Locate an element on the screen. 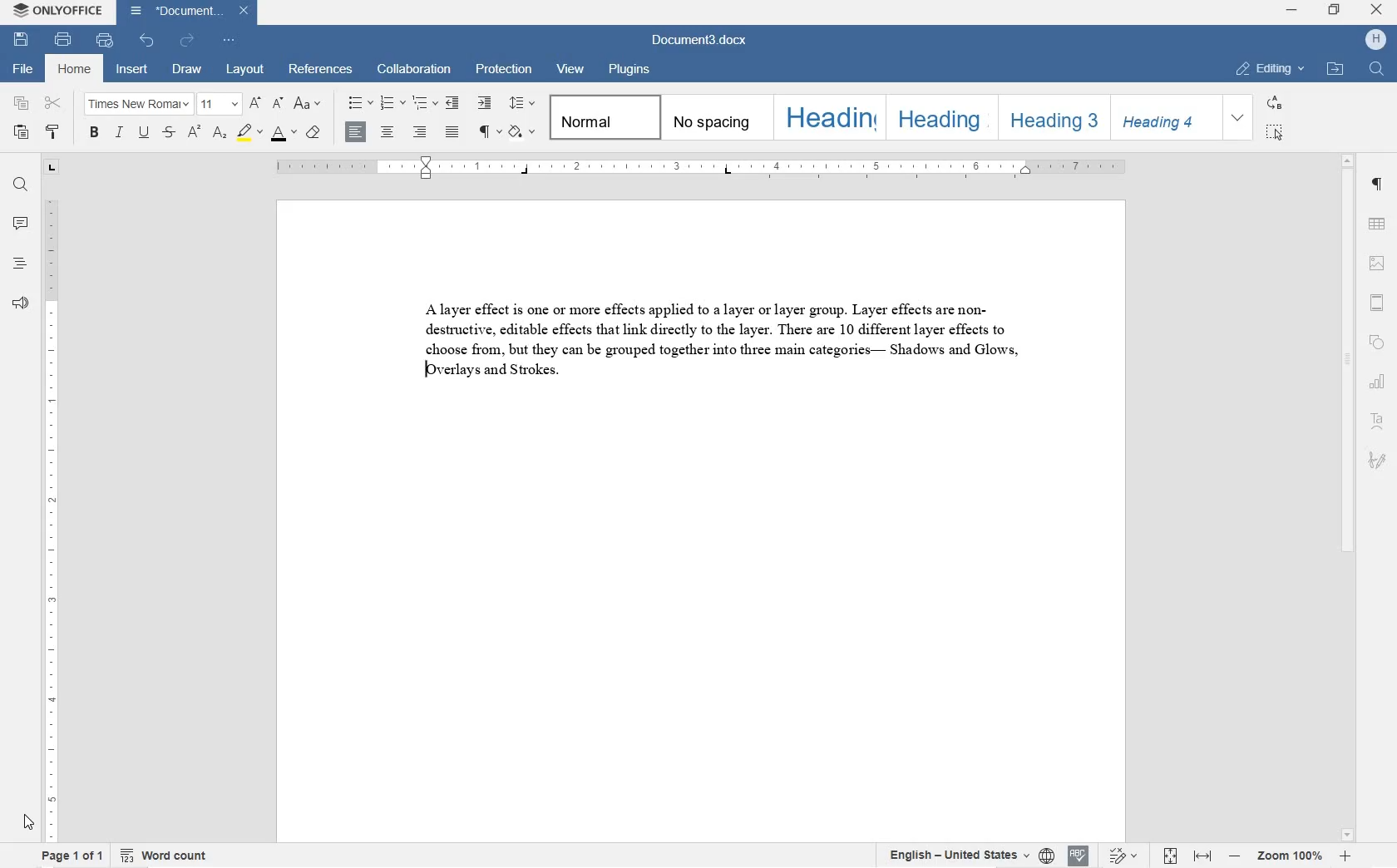  ruler is located at coordinates (47, 520).